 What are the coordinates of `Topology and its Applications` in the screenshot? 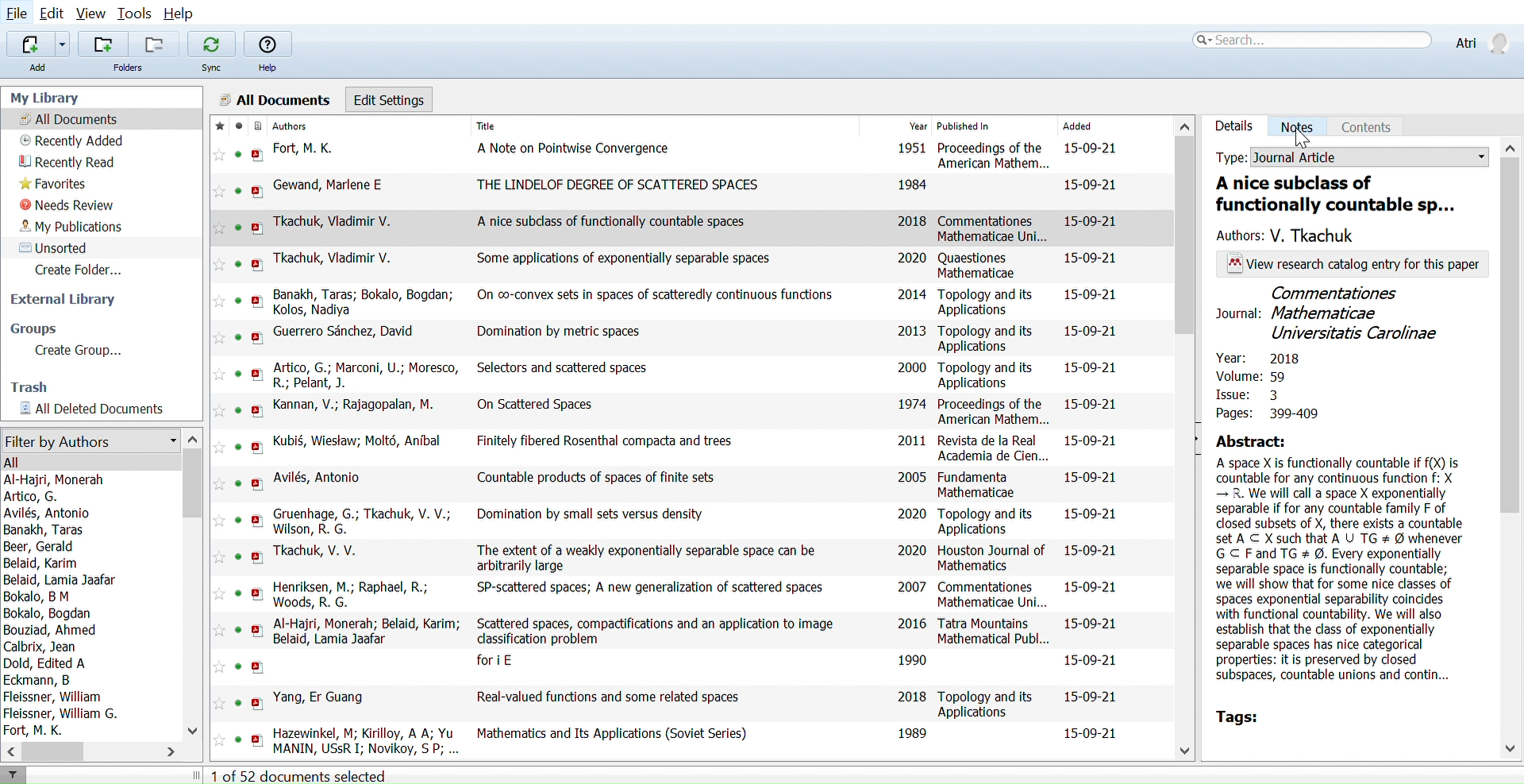 It's located at (987, 375).